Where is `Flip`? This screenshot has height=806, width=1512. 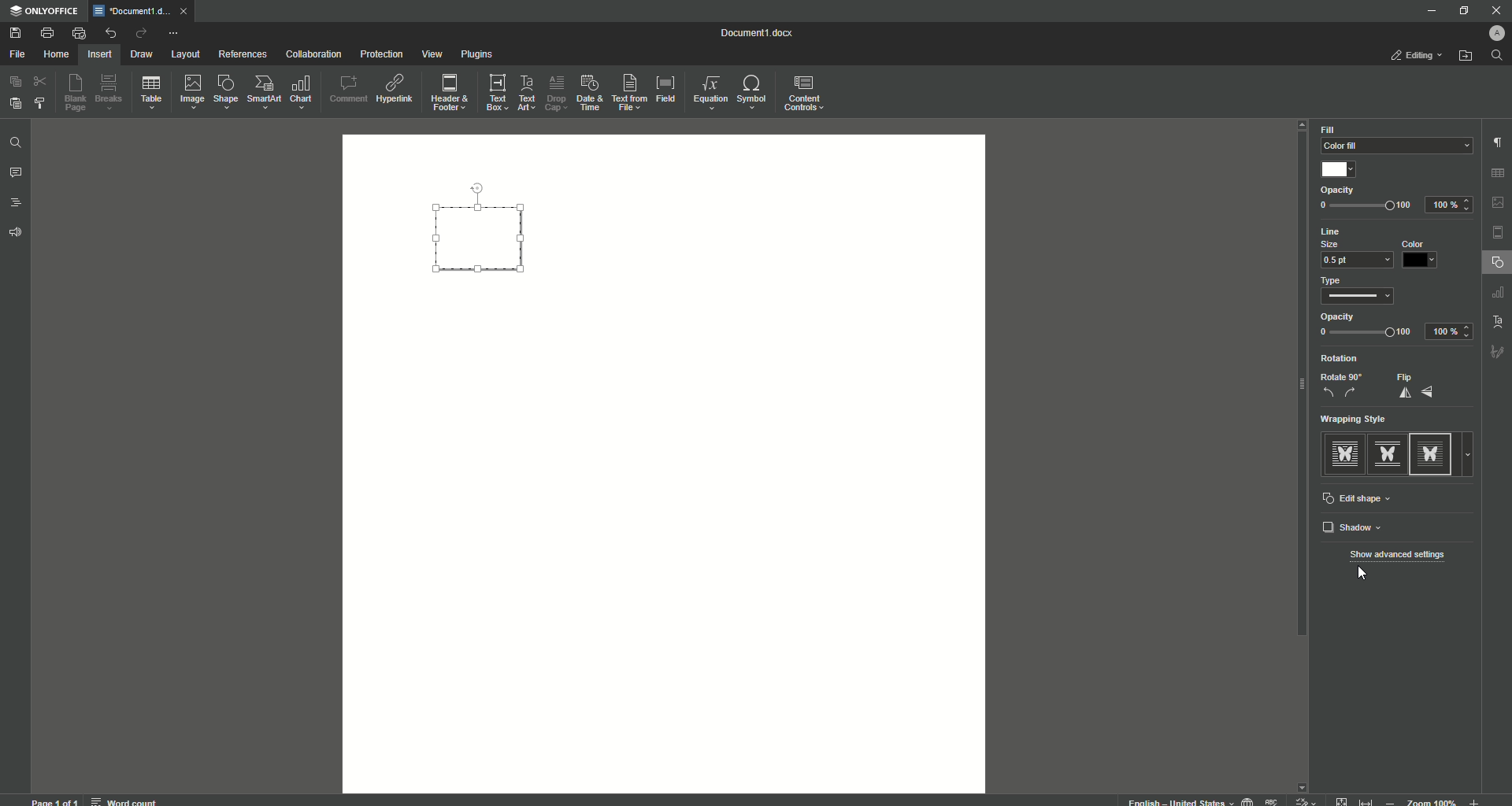 Flip is located at coordinates (1418, 386).